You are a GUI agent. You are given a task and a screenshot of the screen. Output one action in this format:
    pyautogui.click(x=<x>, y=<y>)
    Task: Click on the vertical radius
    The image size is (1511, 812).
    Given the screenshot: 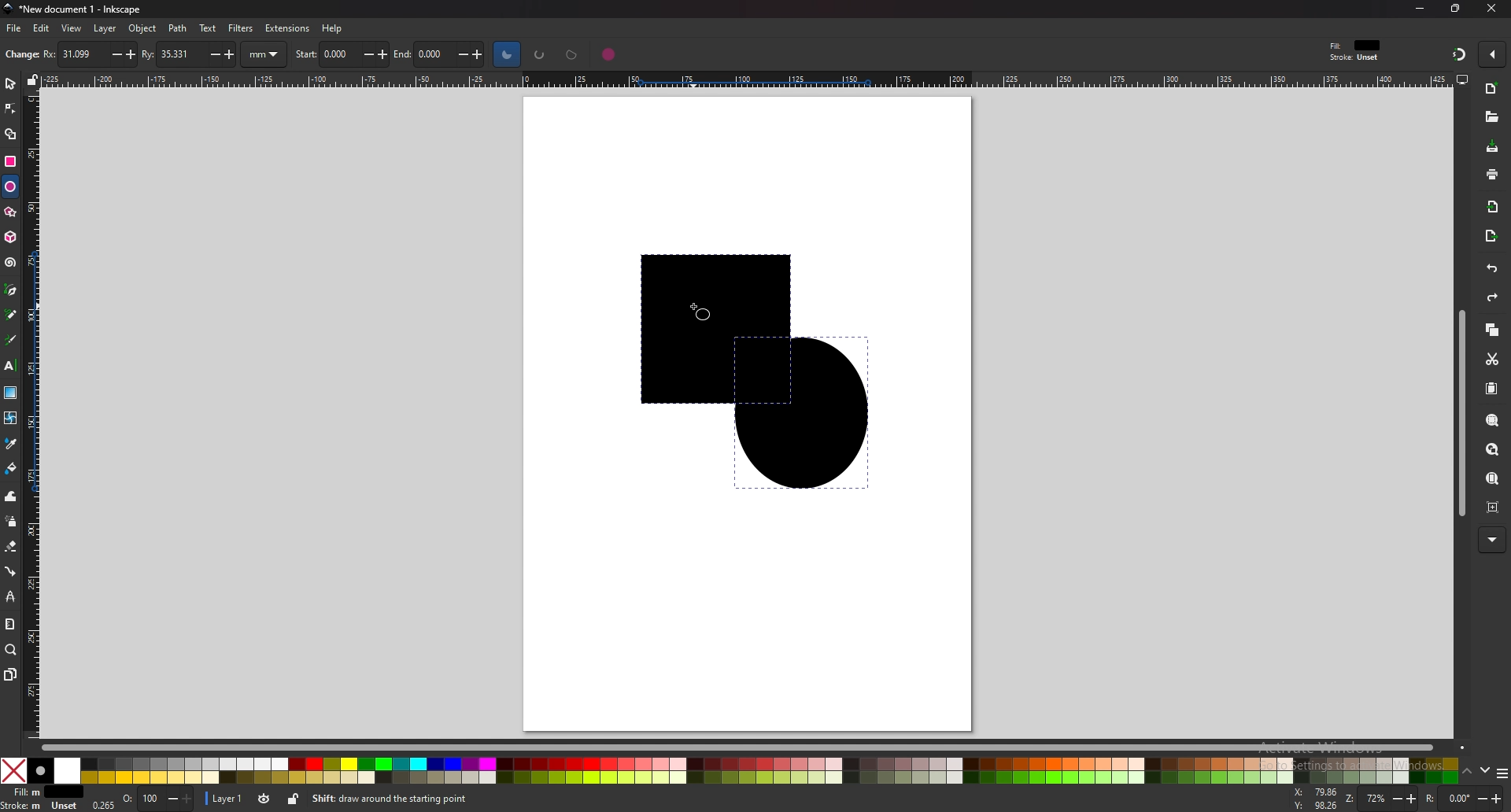 What is the action you would take?
    pyautogui.click(x=190, y=53)
    